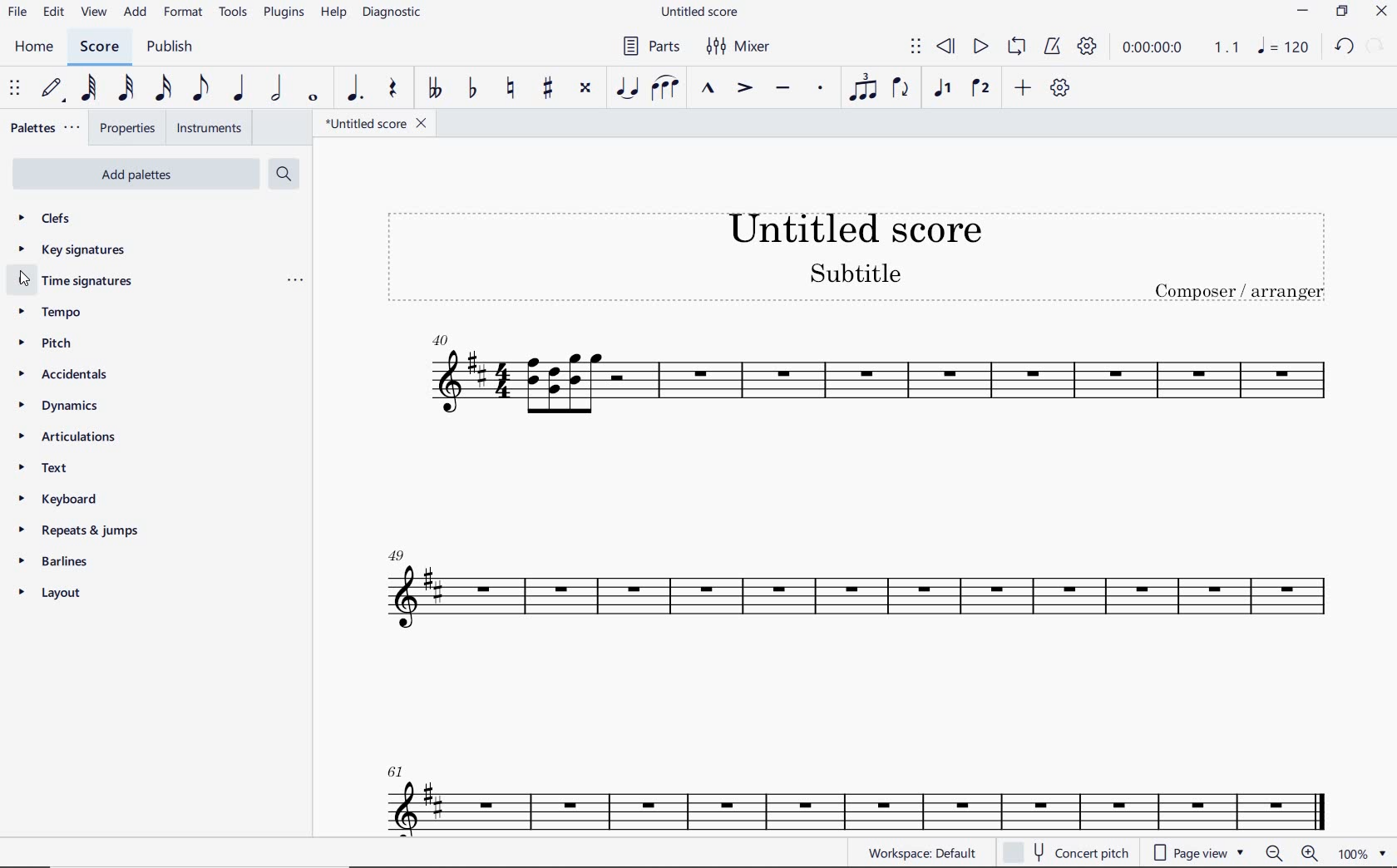 Image resolution: width=1397 pixels, height=868 pixels. I want to click on ADD, so click(1023, 87).